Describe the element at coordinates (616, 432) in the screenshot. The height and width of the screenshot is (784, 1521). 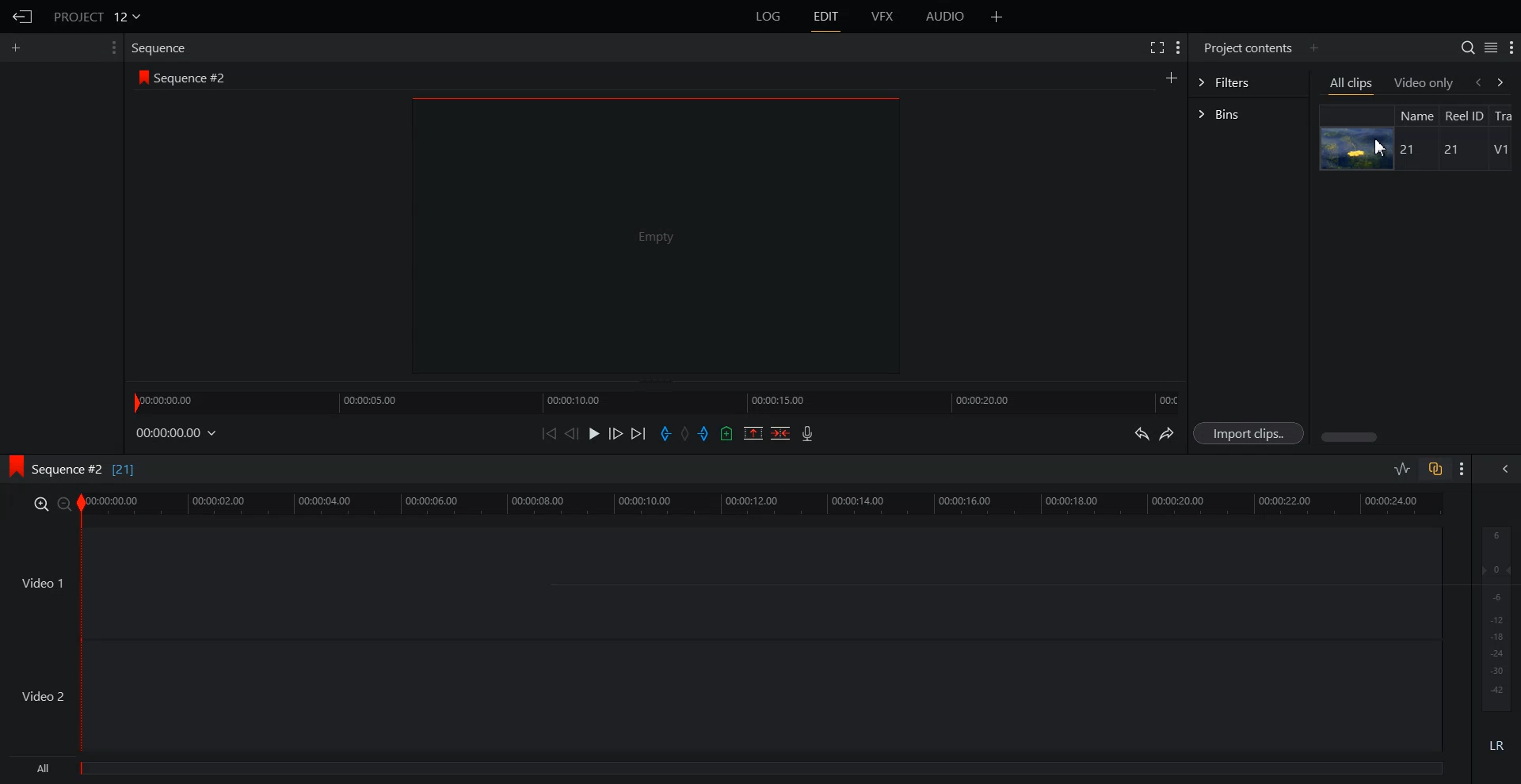
I see `Nudge one frame forward` at that location.